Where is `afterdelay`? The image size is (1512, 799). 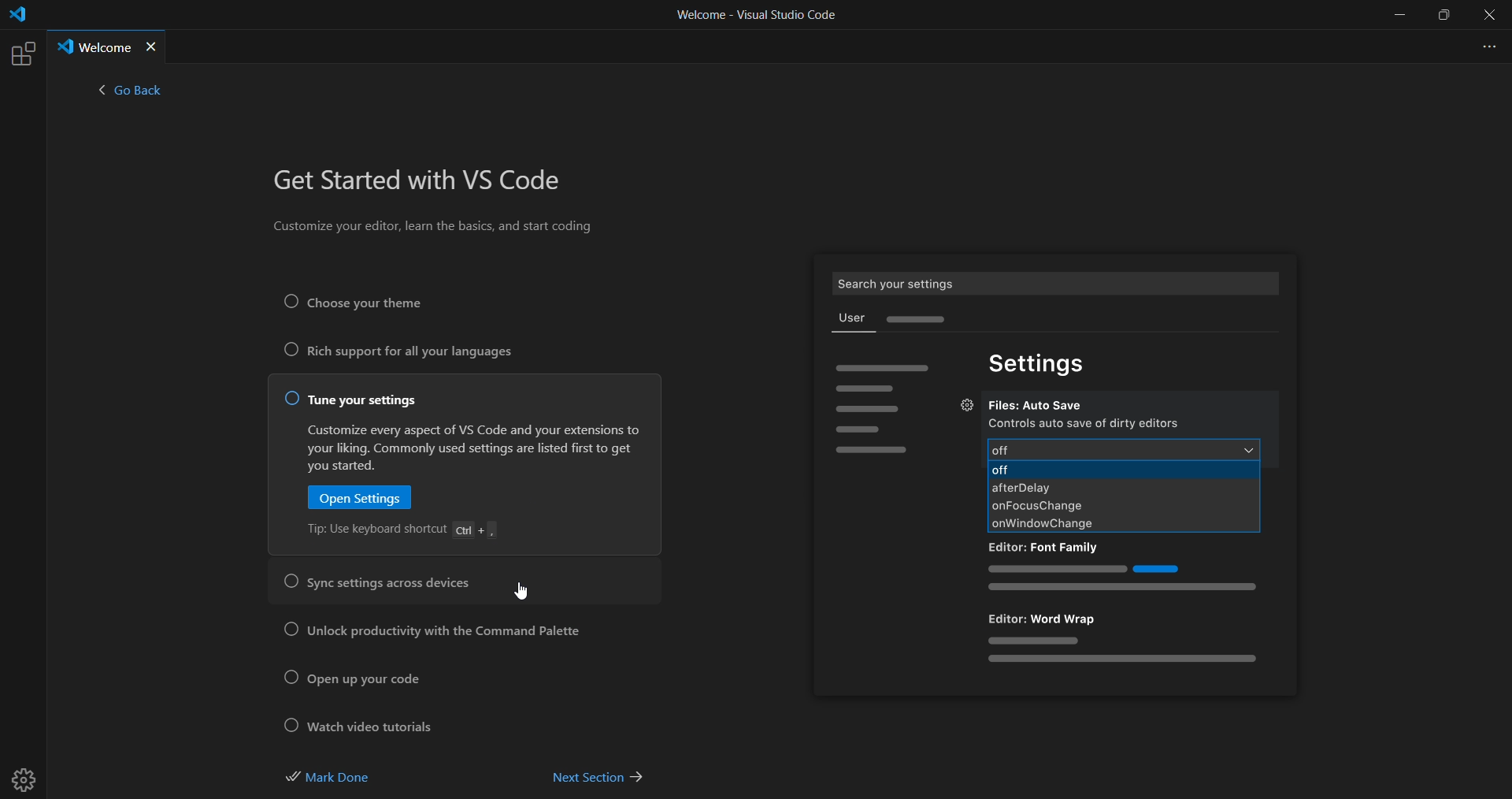
afterdelay is located at coordinates (1042, 489).